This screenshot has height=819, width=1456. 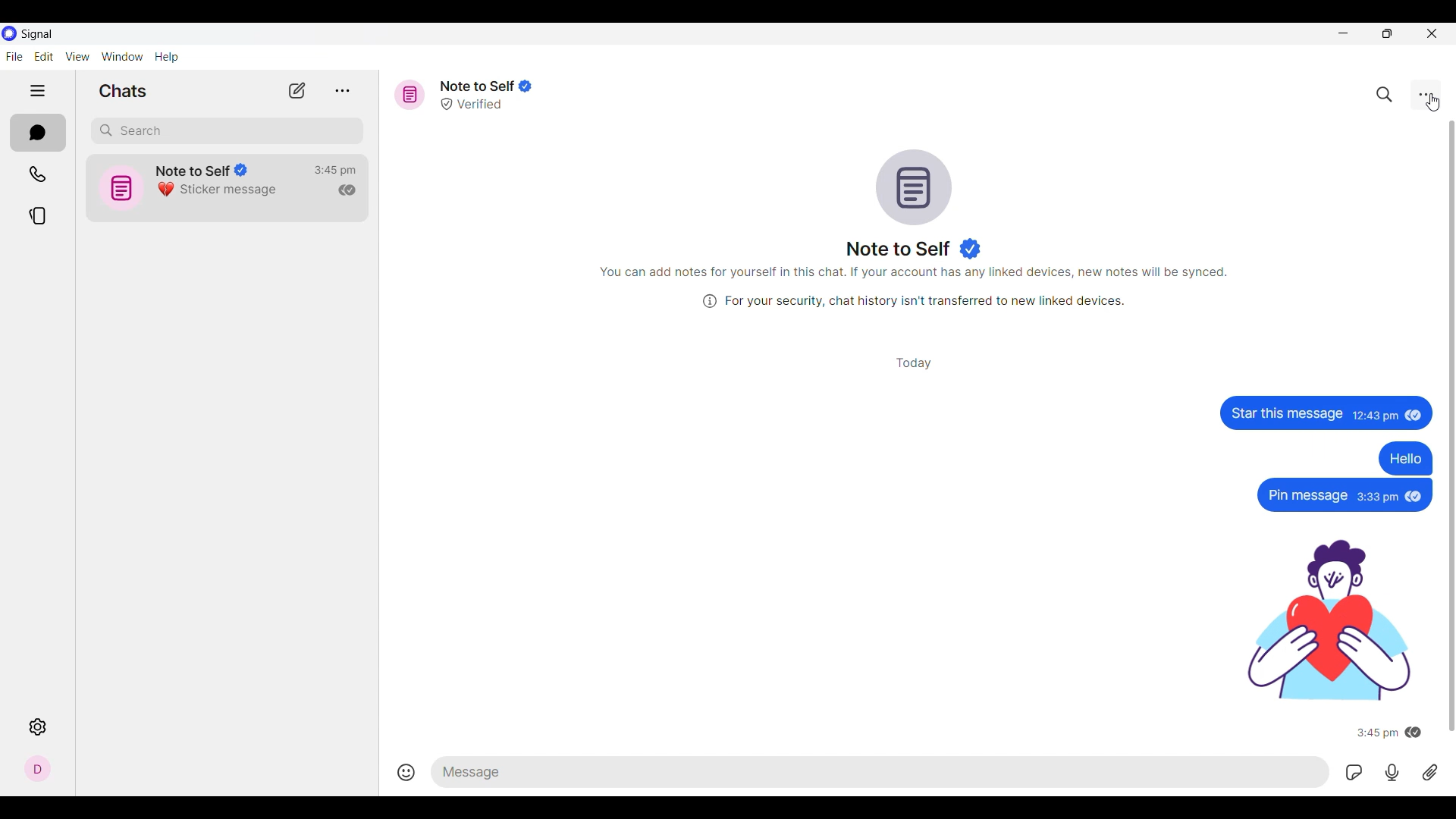 What do you see at coordinates (37, 90) in the screenshot?
I see `Show/Hide left side pane` at bounding box center [37, 90].